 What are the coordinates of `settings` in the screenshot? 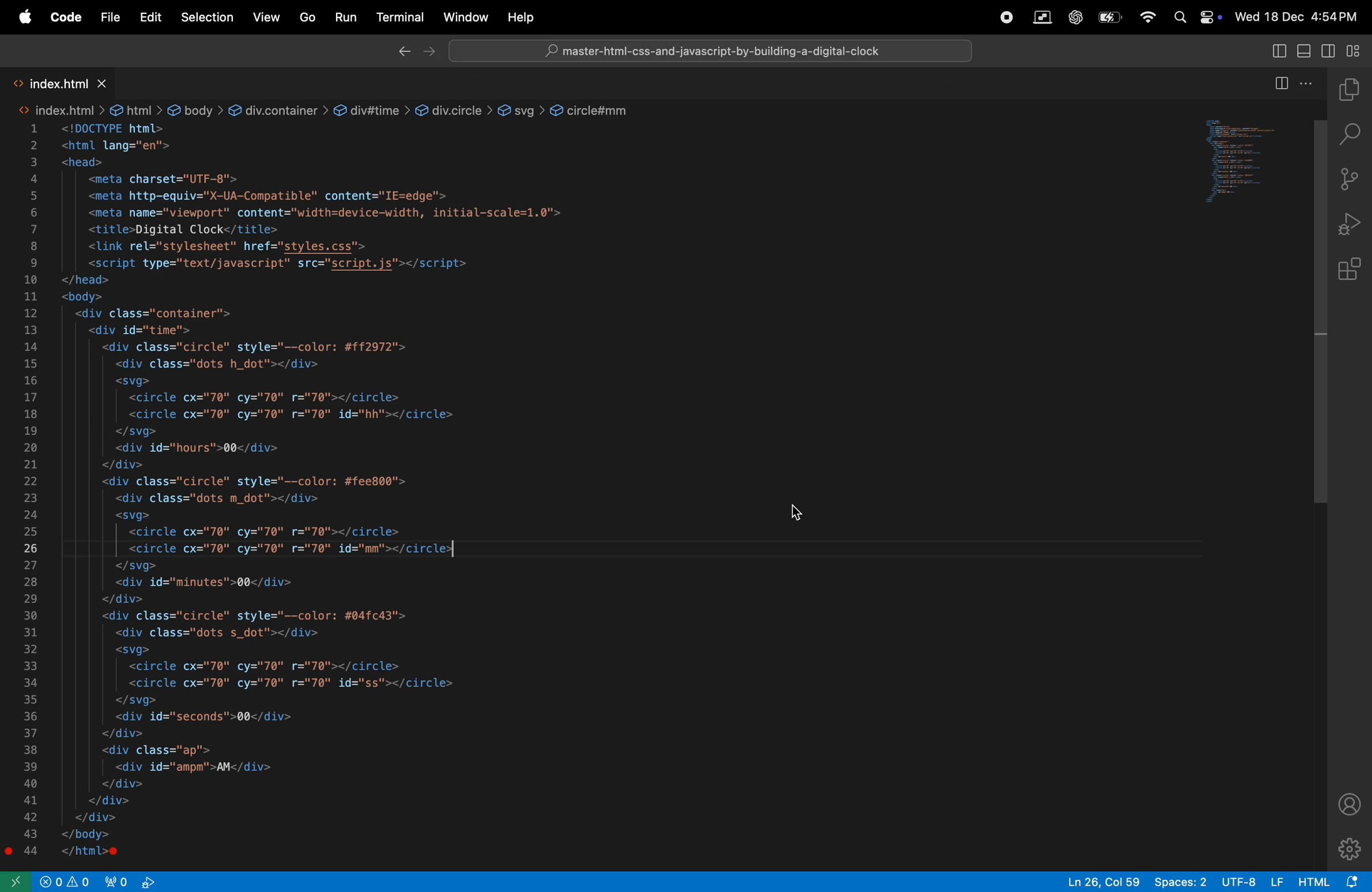 It's located at (1351, 848).